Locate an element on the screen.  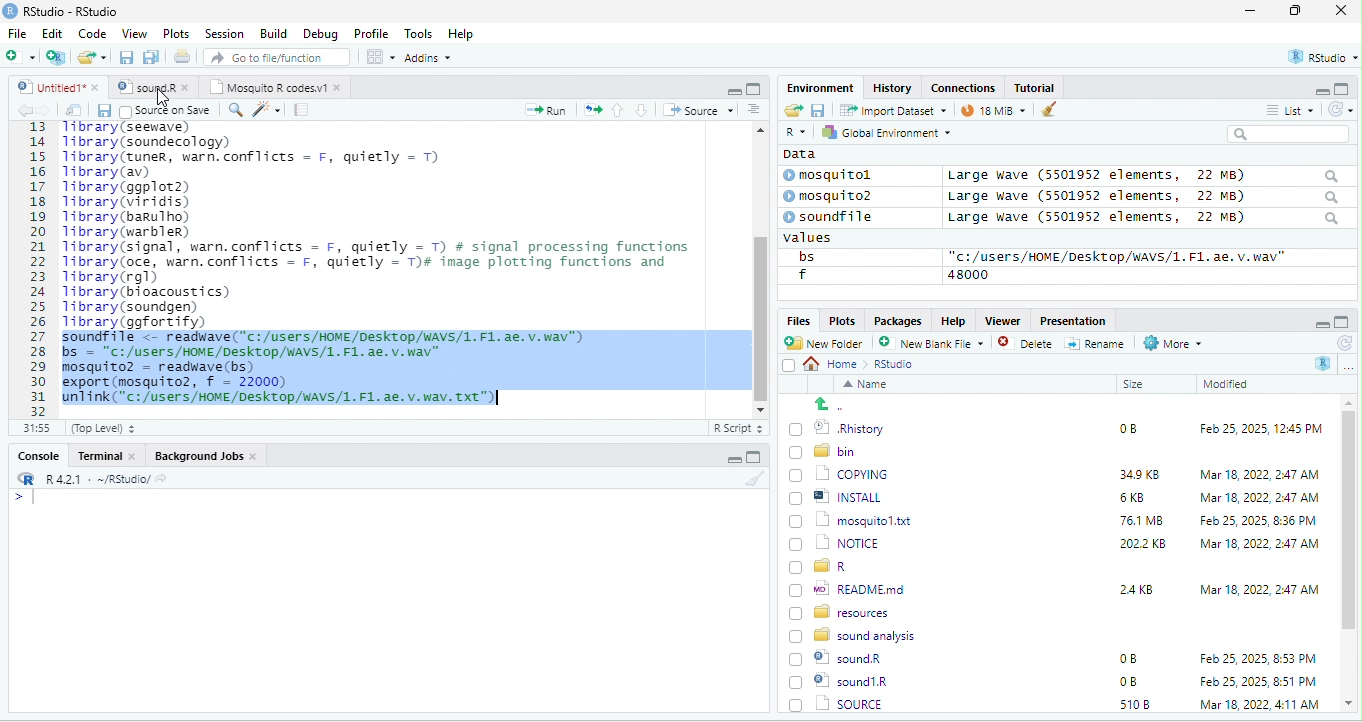
‘Mosquito R codes.vi is located at coordinates (150, 87).